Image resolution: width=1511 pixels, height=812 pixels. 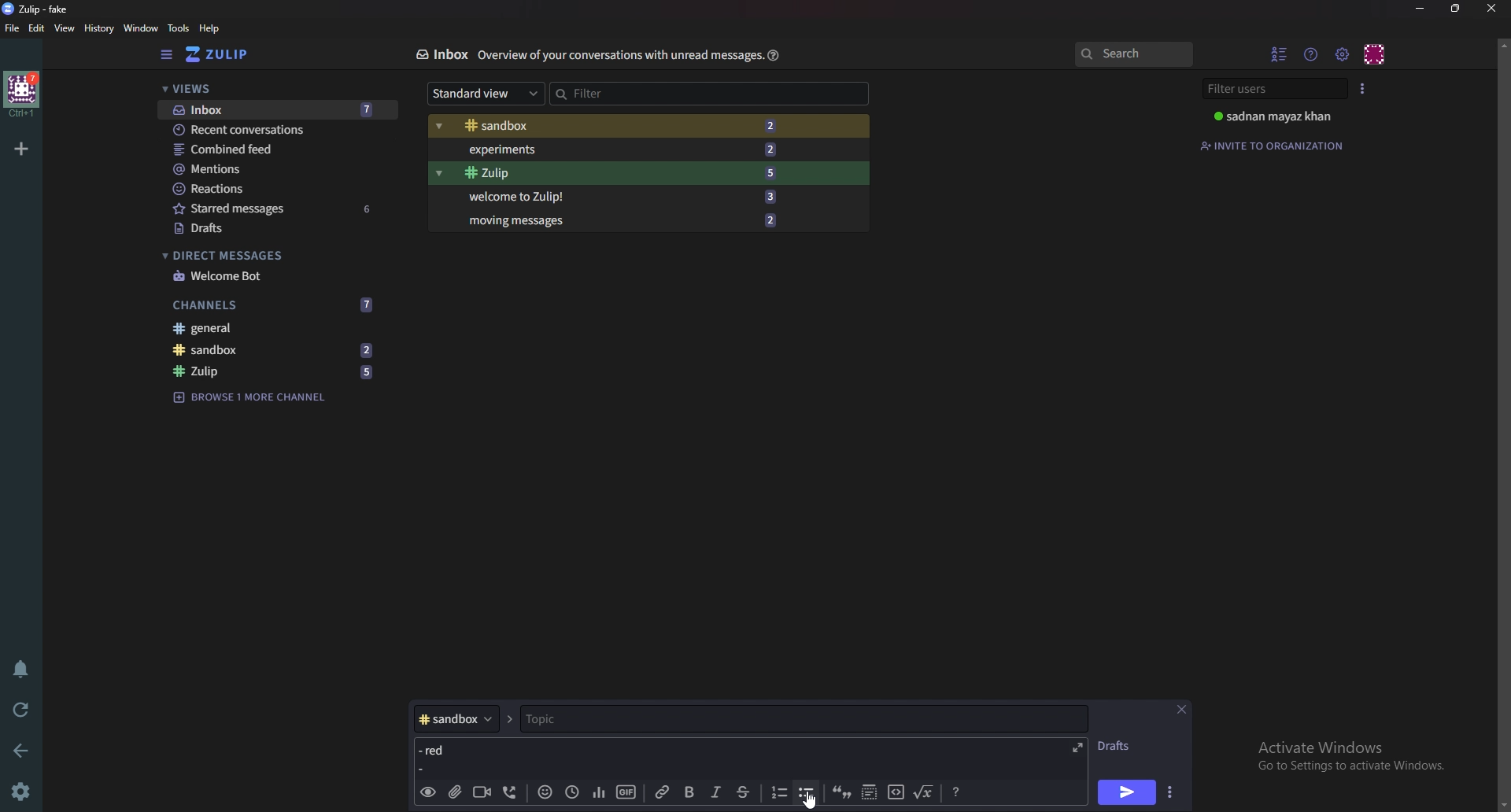 I want to click on link, so click(x=665, y=792).